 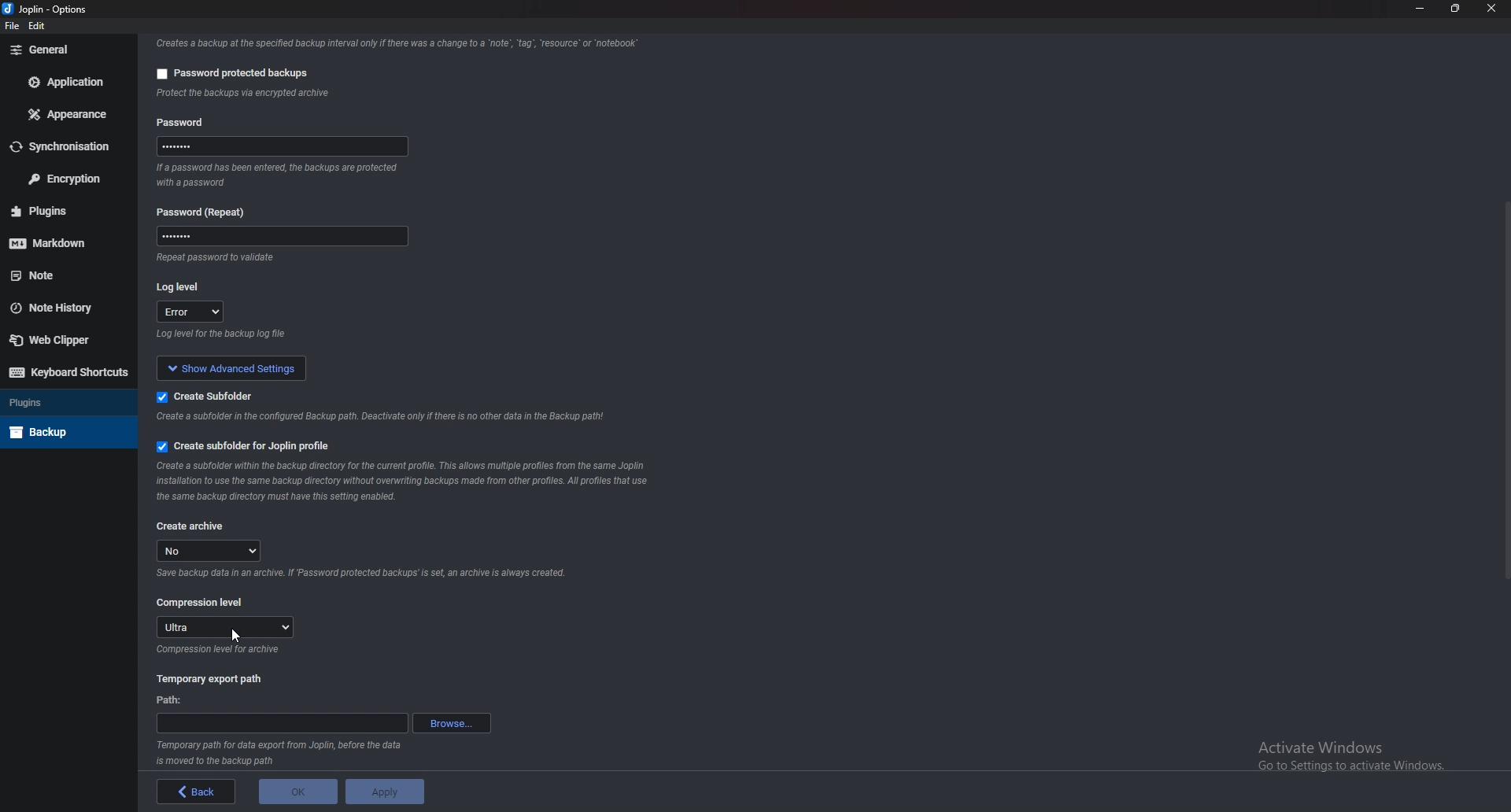 I want to click on create subfolder, so click(x=208, y=396).